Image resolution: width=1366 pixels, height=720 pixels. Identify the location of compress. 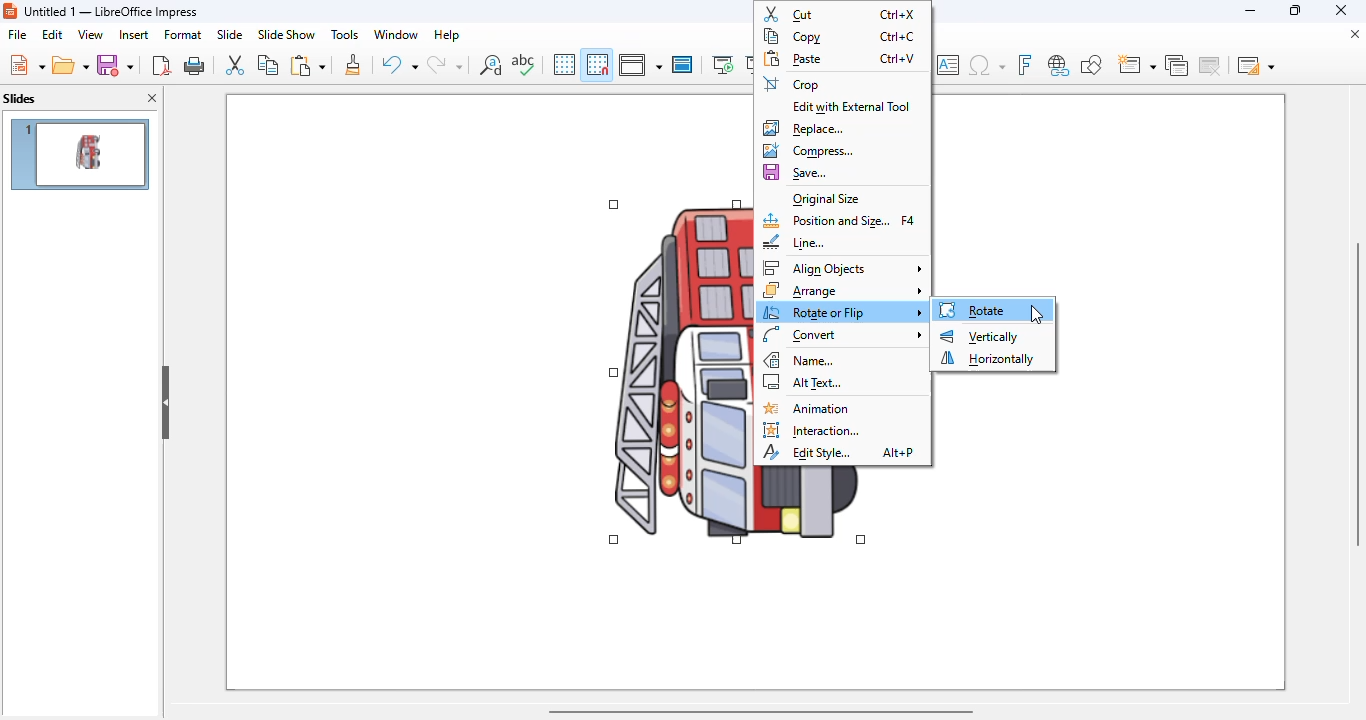
(809, 151).